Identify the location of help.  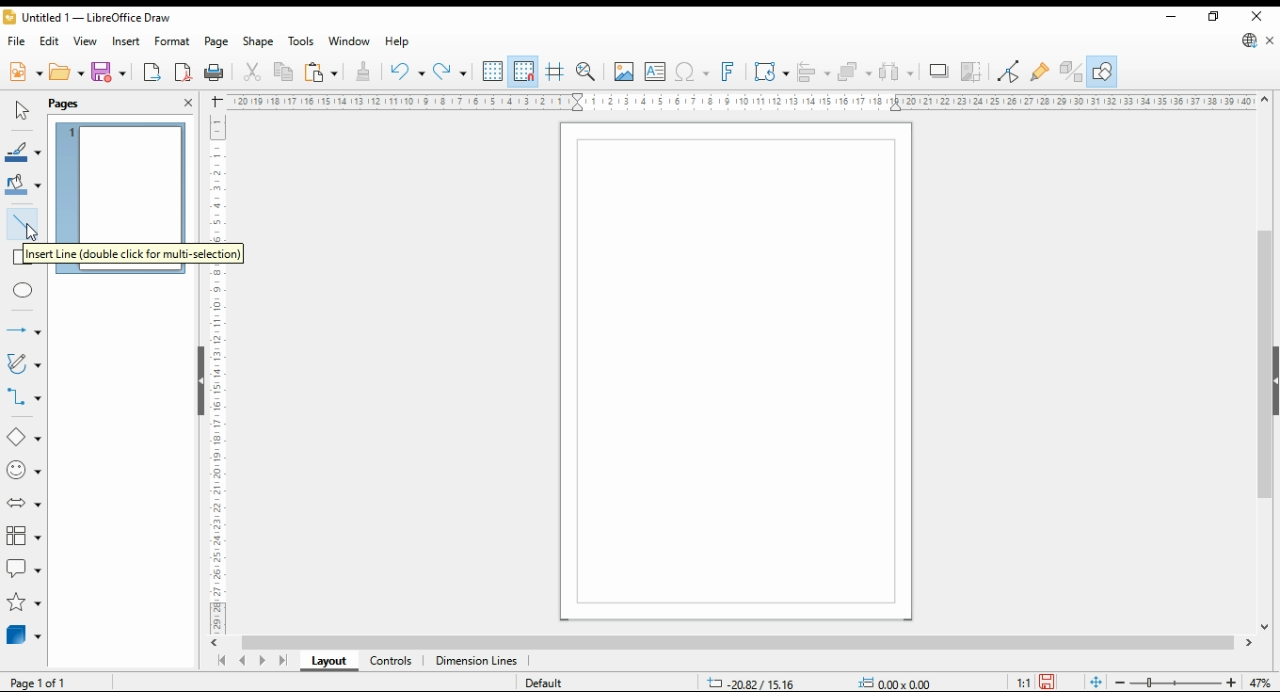
(397, 42).